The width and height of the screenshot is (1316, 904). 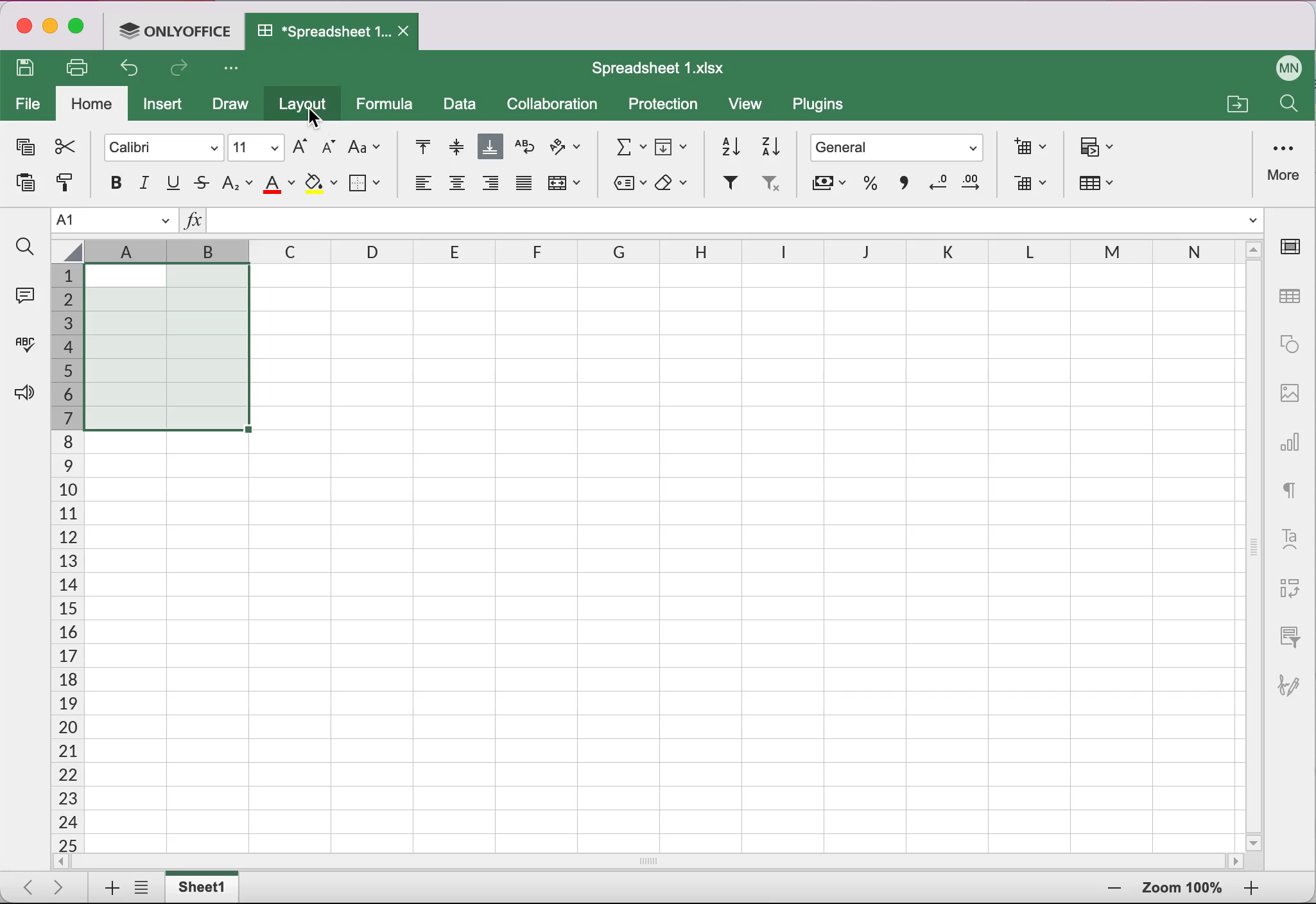 I want to click on image, so click(x=1290, y=391).